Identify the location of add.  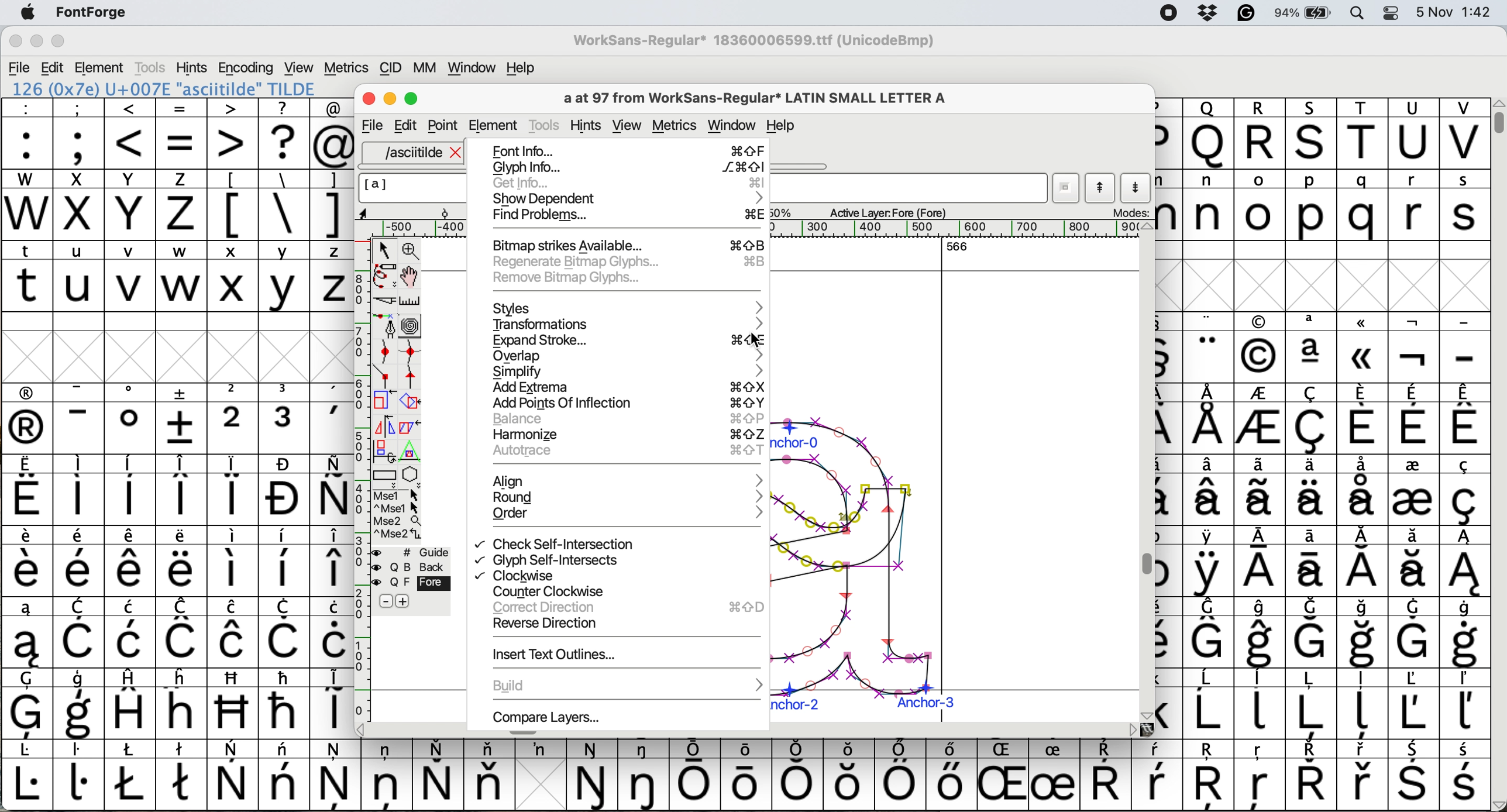
(404, 601).